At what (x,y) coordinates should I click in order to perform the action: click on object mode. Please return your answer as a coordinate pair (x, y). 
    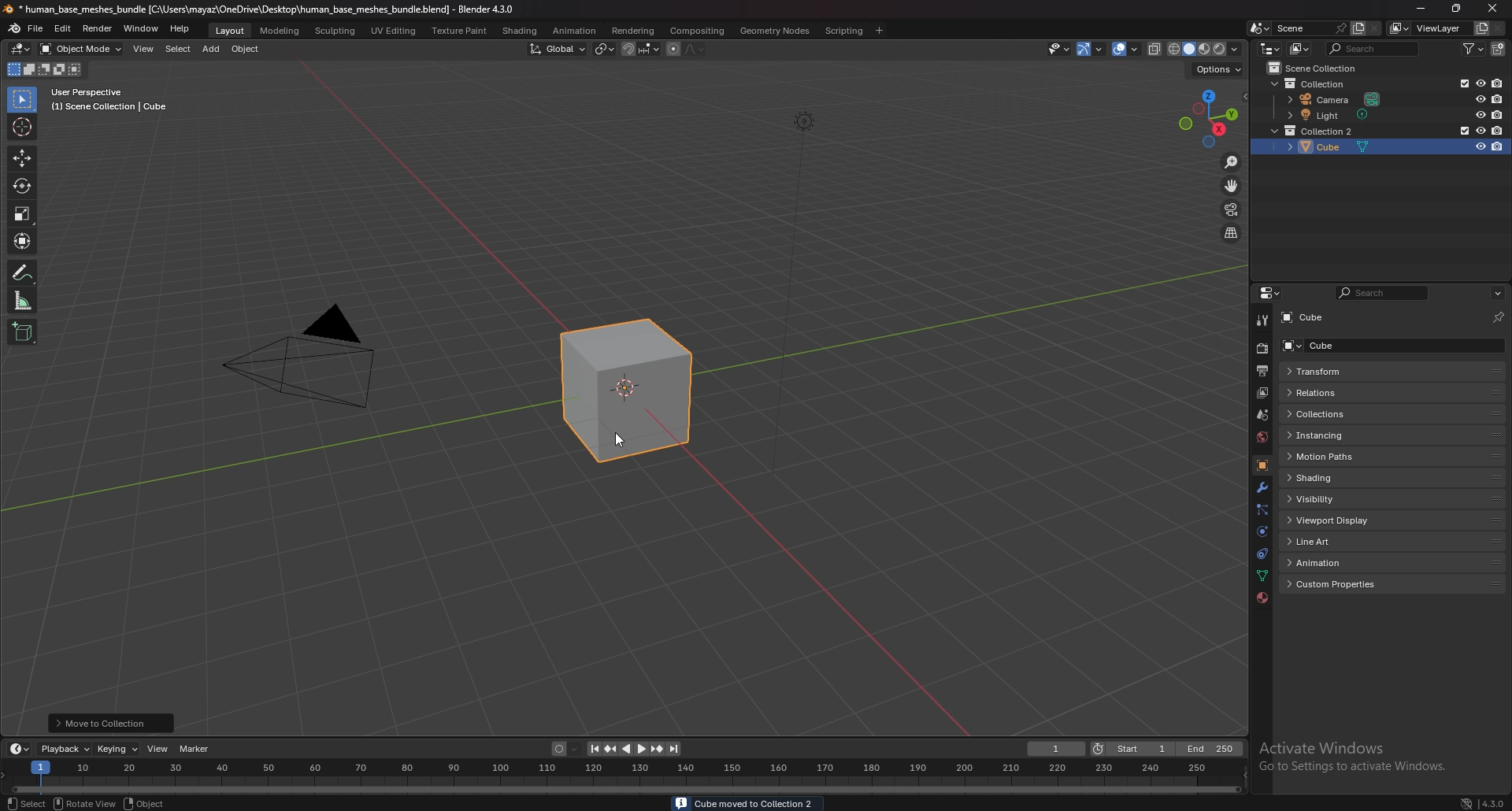
    Looking at the image, I should click on (80, 49).